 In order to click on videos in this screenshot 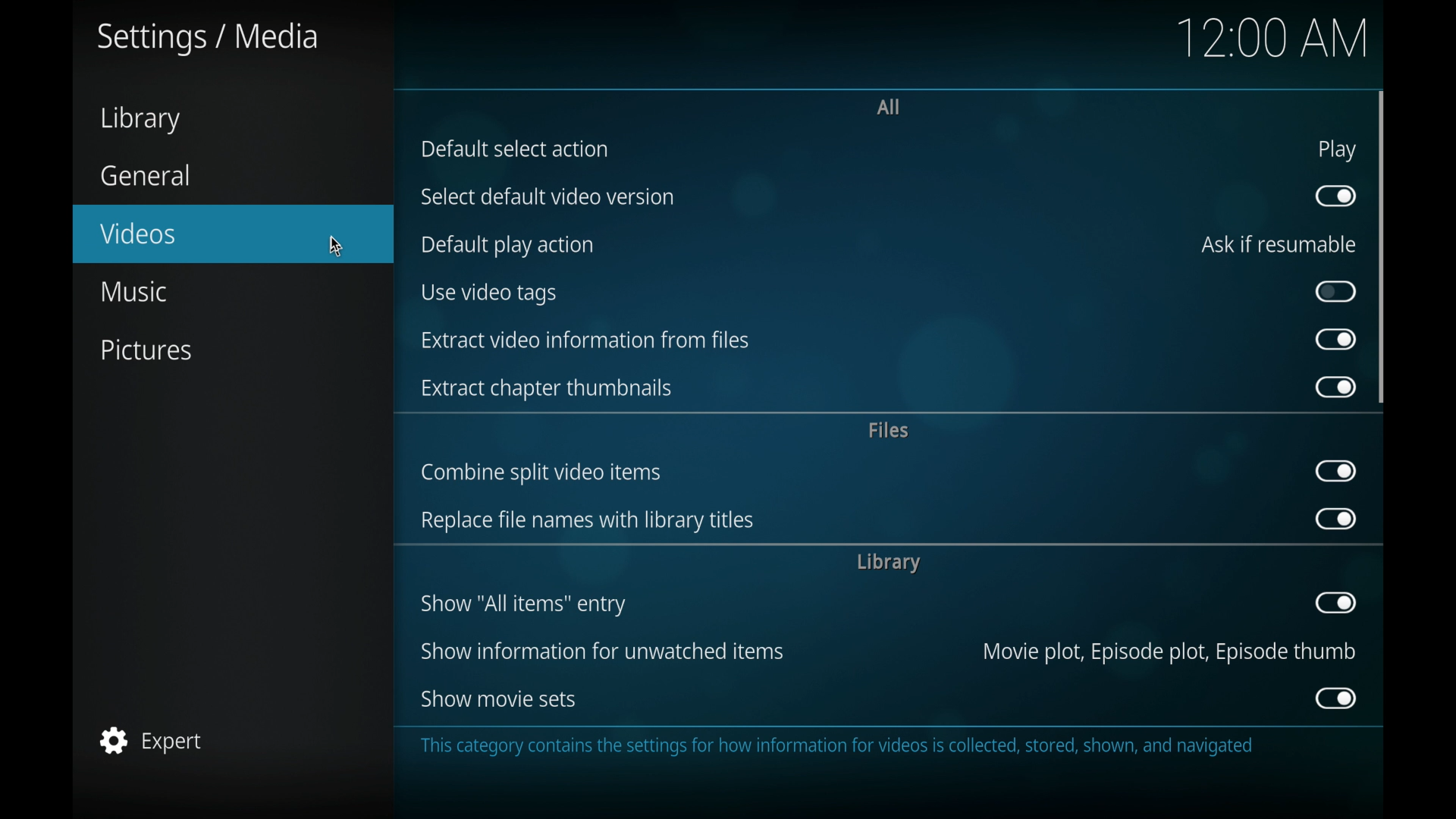, I will do `click(140, 232)`.